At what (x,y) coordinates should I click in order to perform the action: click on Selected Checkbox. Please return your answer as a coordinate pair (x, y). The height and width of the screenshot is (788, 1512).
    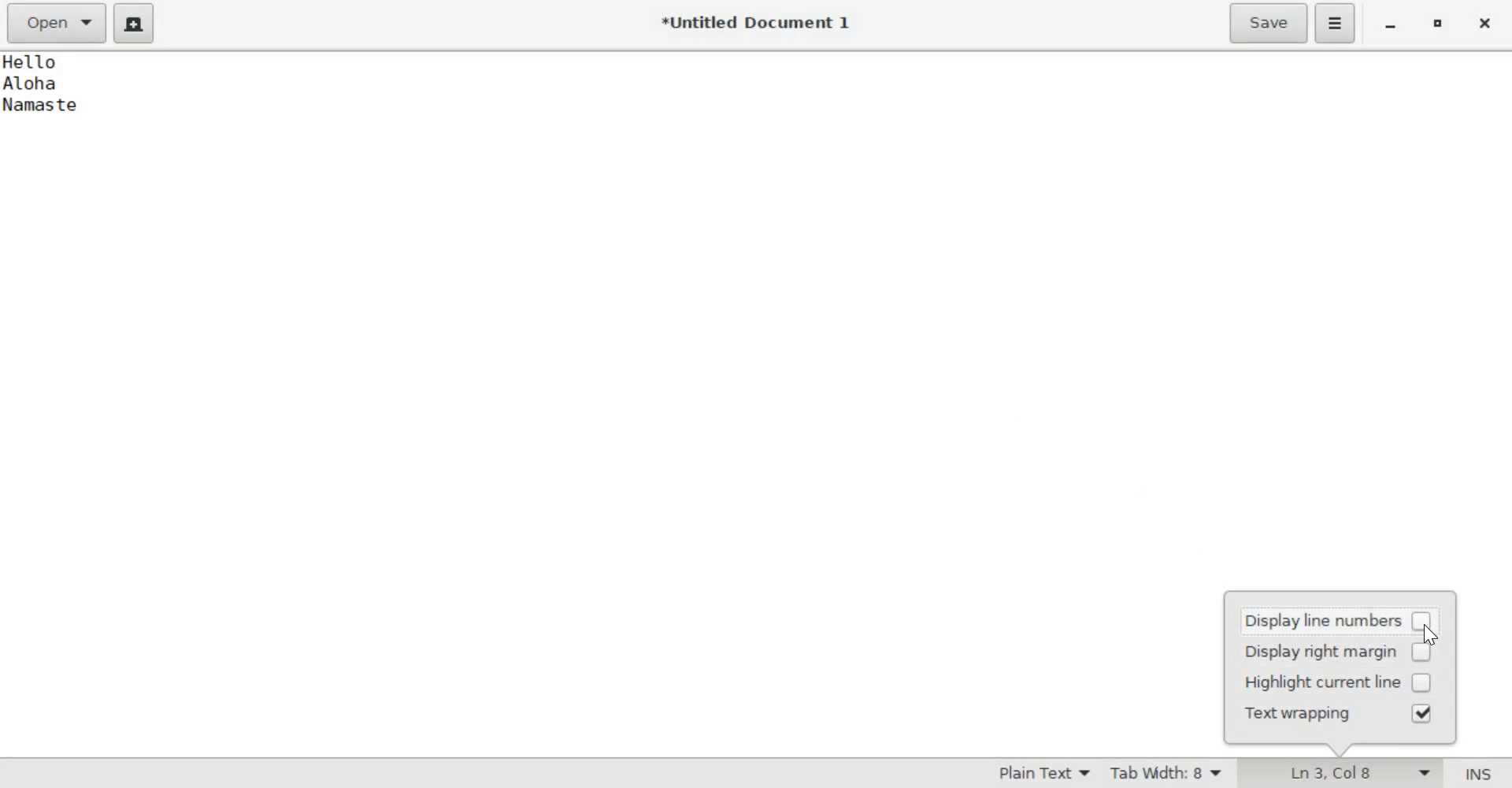
    Looking at the image, I should click on (1423, 713).